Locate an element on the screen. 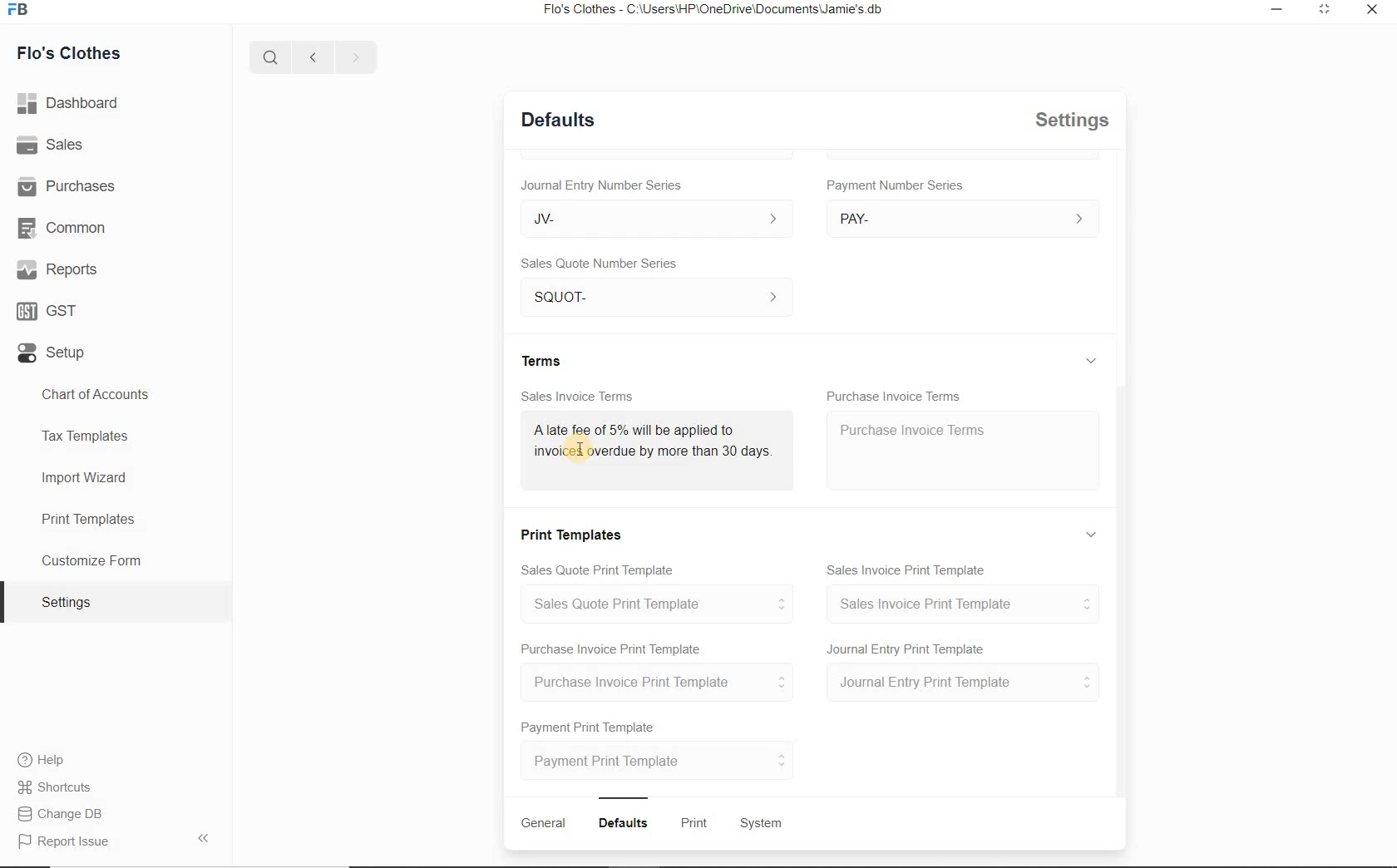 This screenshot has width=1397, height=868. Payment Number Series is located at coordinates (896, 185).